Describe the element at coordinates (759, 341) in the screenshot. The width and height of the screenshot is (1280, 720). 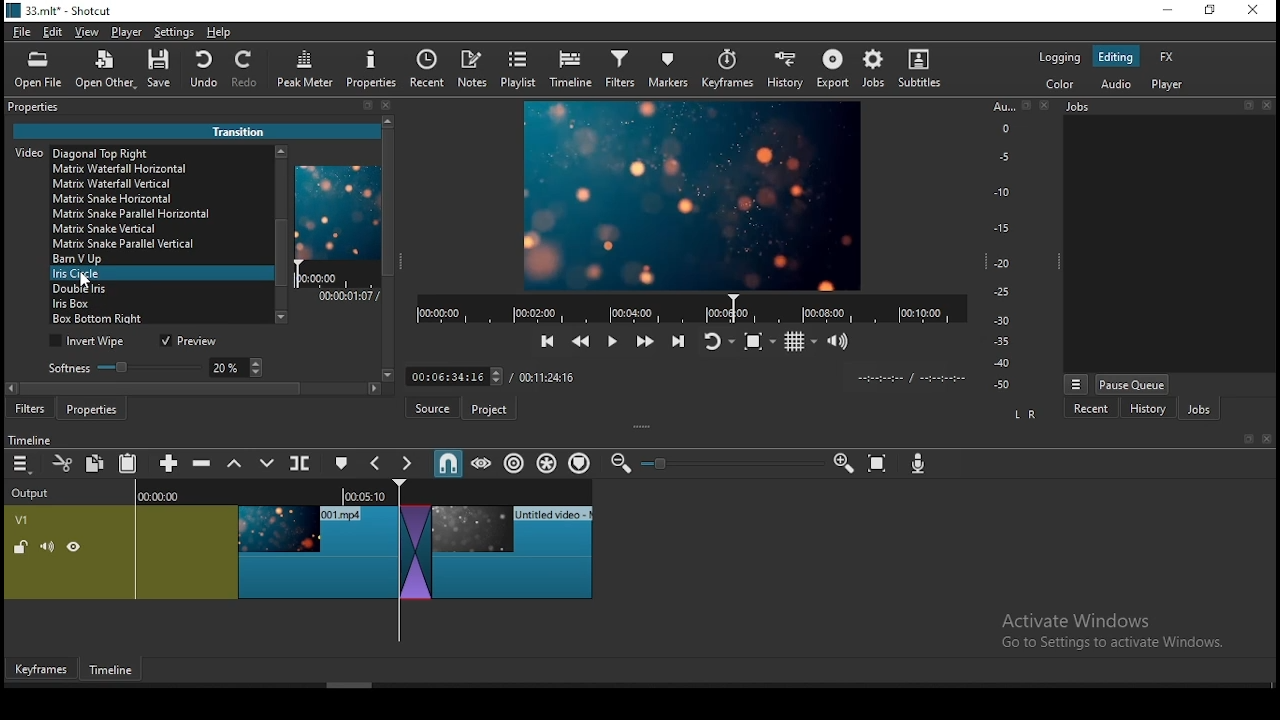
I see `toggle zoom` at that location.